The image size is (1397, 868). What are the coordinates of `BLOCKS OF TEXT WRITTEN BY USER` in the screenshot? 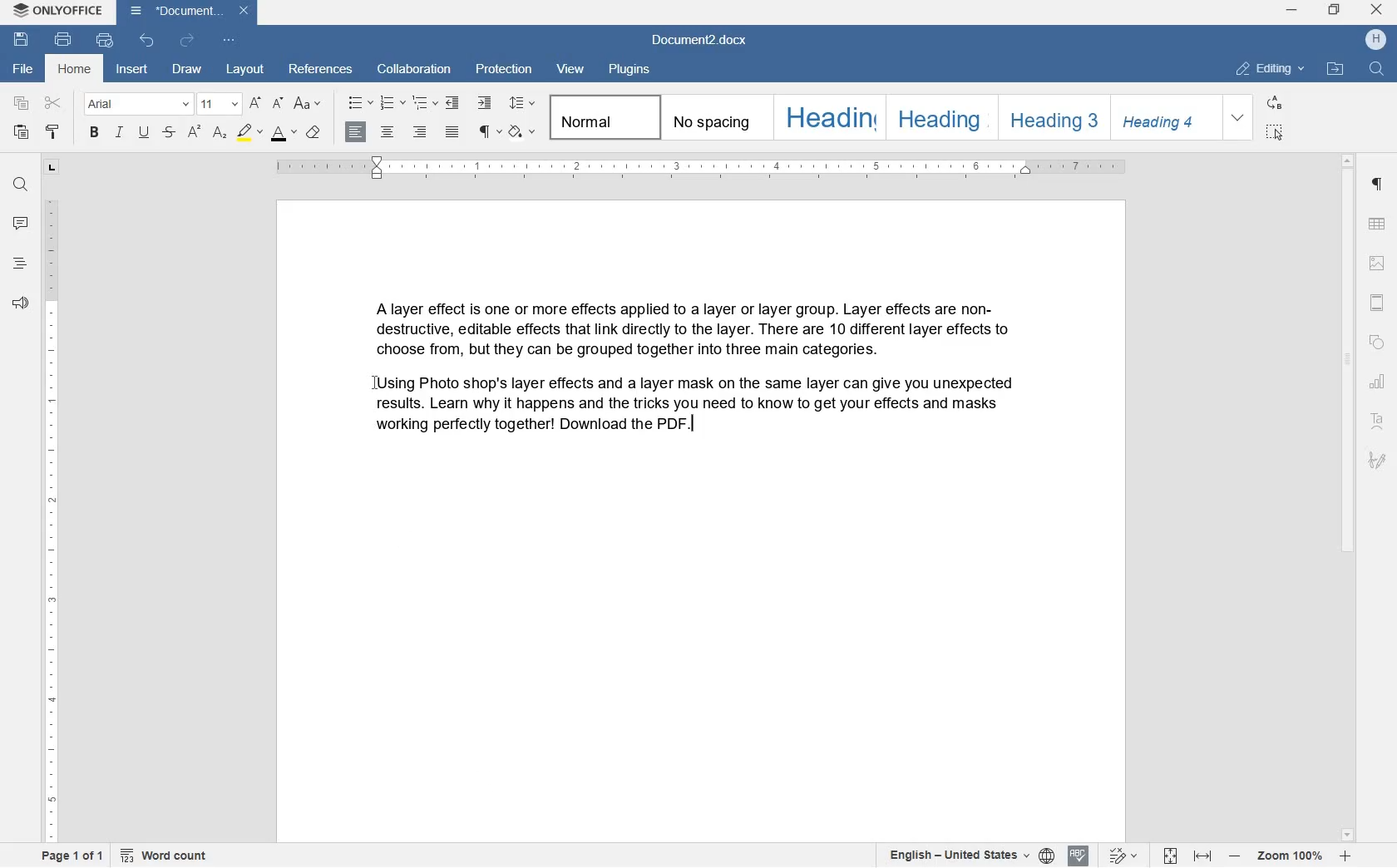 It's located at (684, 376).